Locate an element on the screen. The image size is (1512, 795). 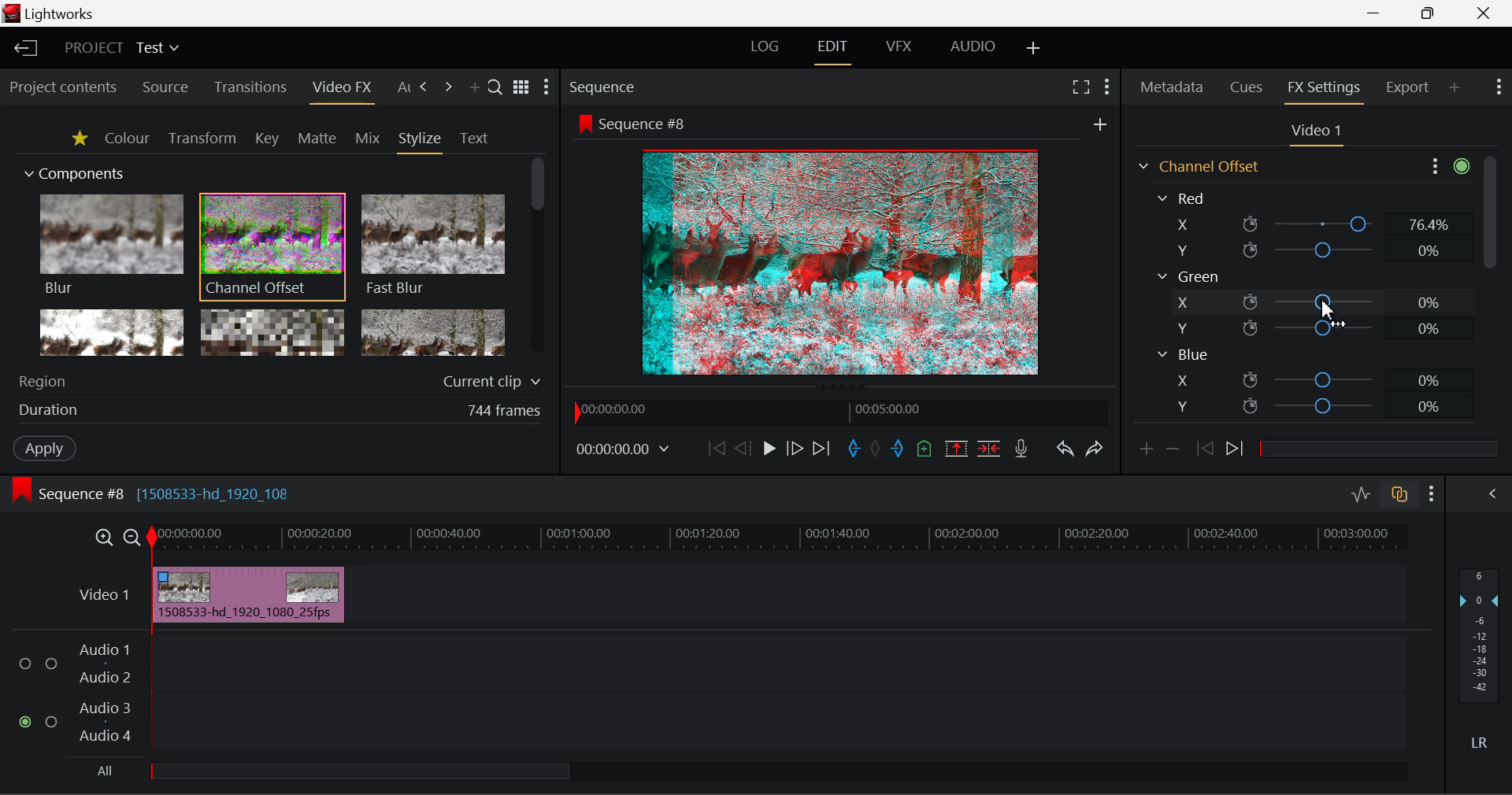
Frame Duration is located at coordinates (280, 412).